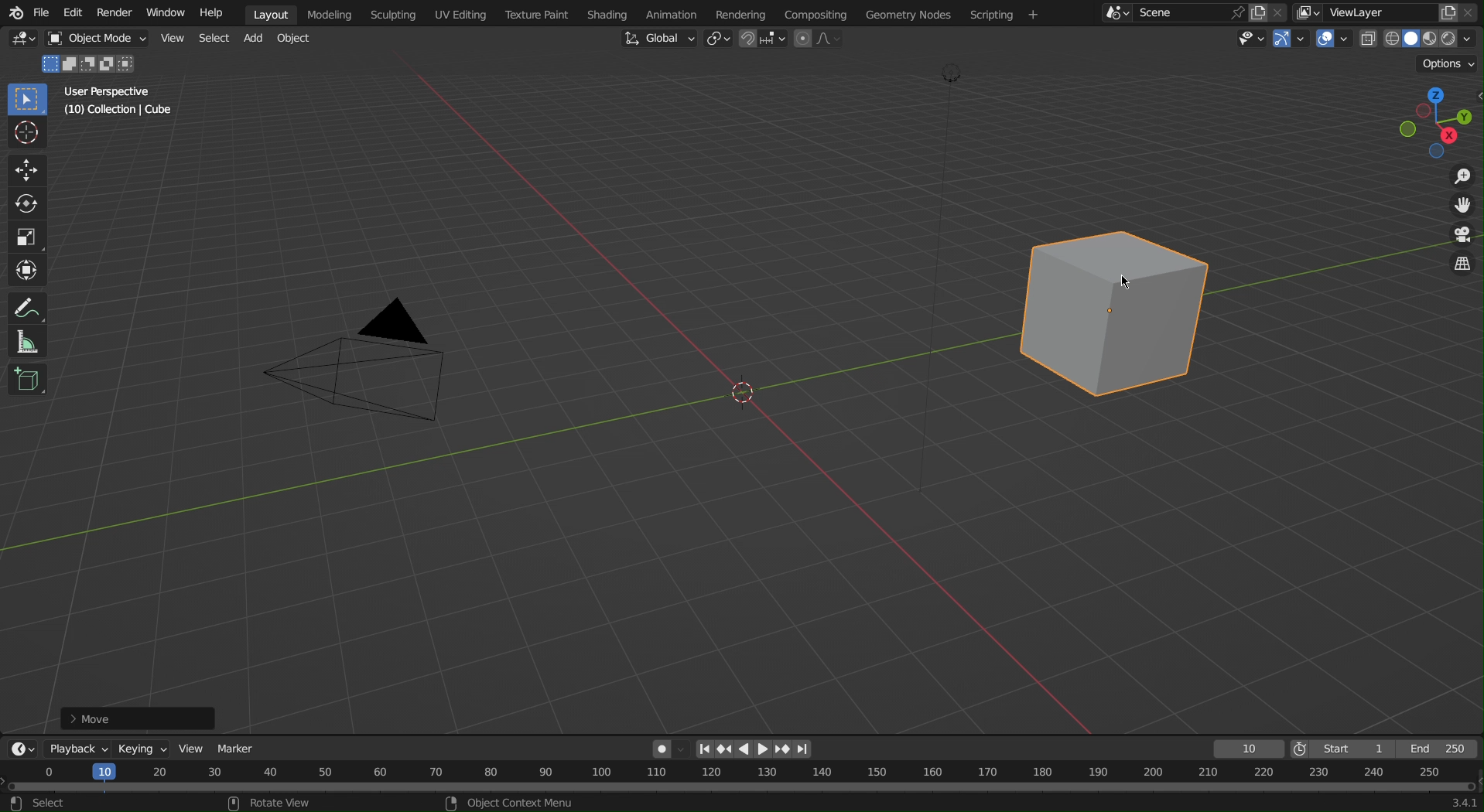  Describe the element at coordinates (1288, 39) in the screenshot. I see `Show Gizmo` at that location.